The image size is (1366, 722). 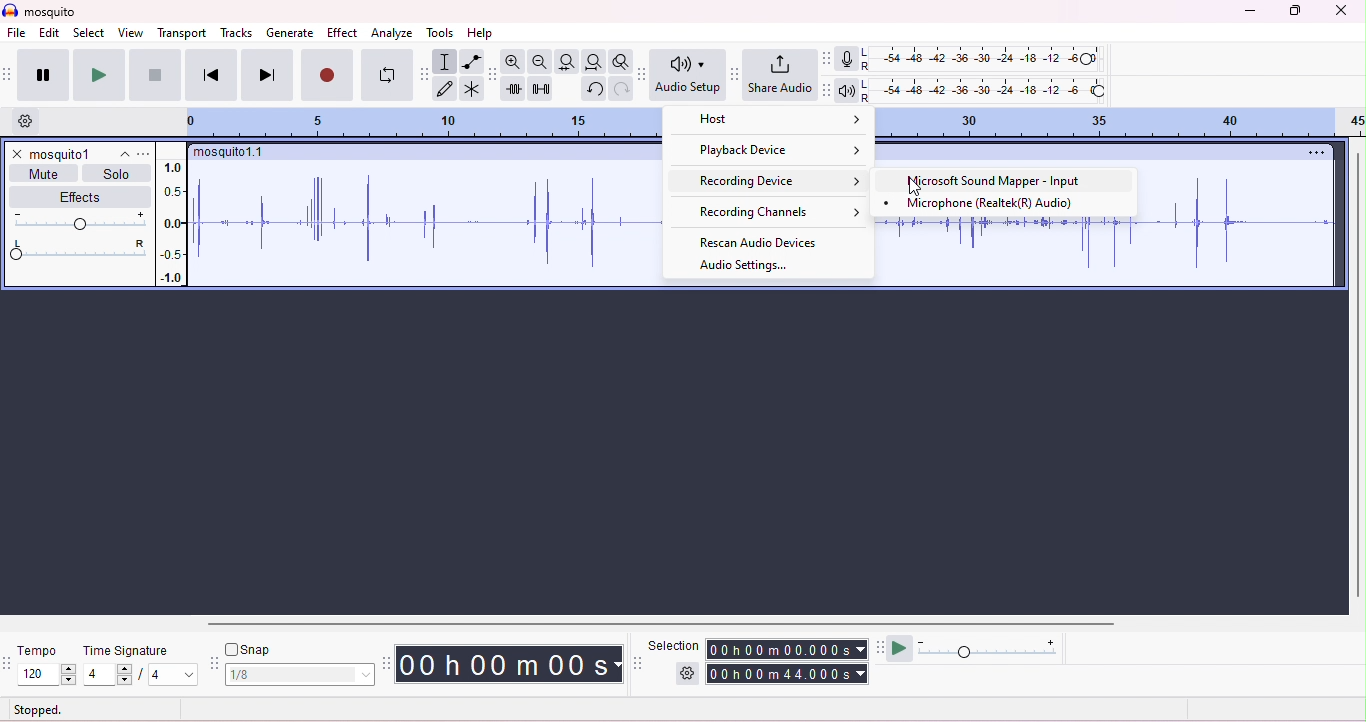 I want to click on select time signature, so click(x=140, y=675).